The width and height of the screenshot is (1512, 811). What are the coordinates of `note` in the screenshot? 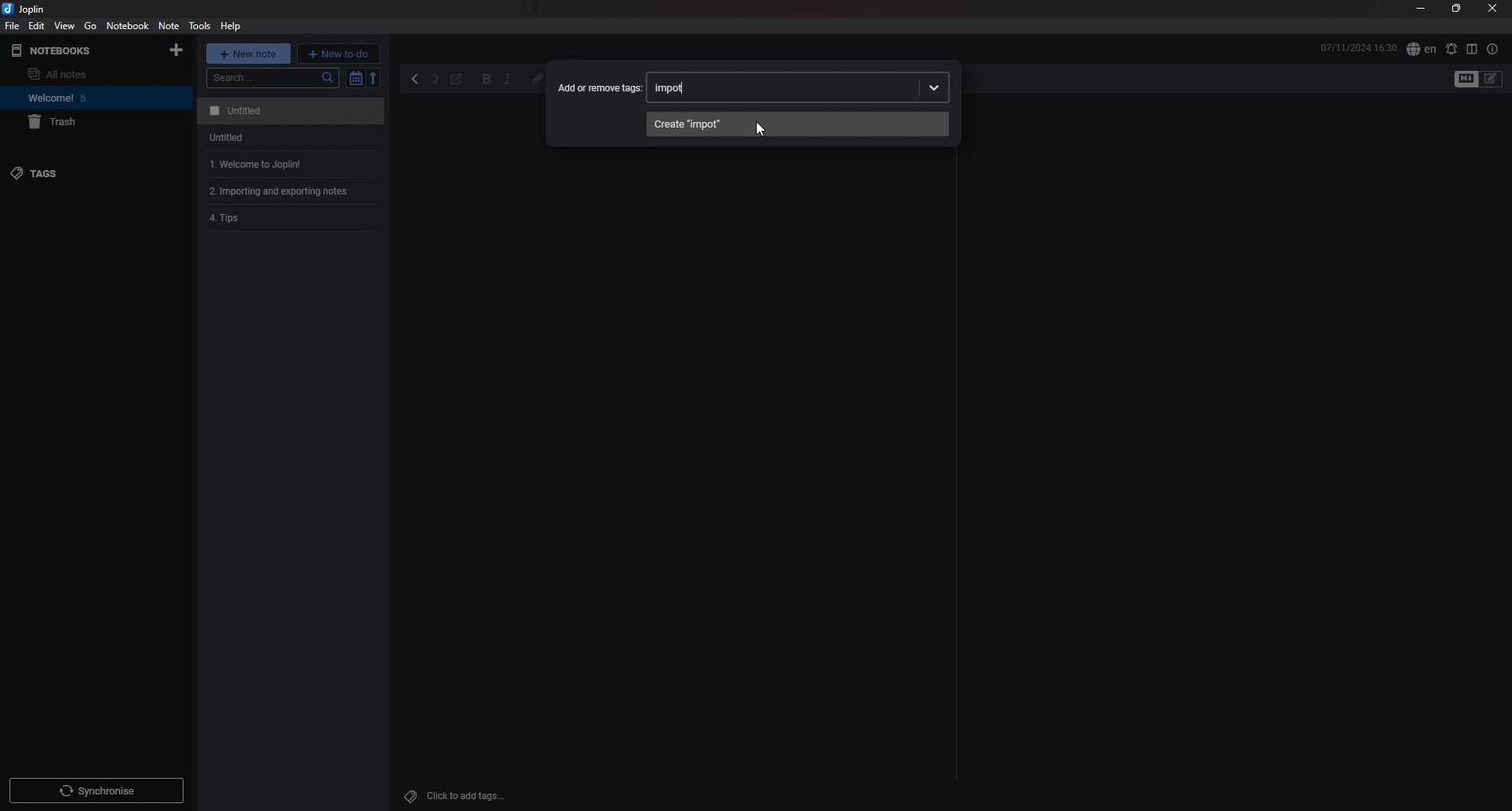 It's located at (293, 220).